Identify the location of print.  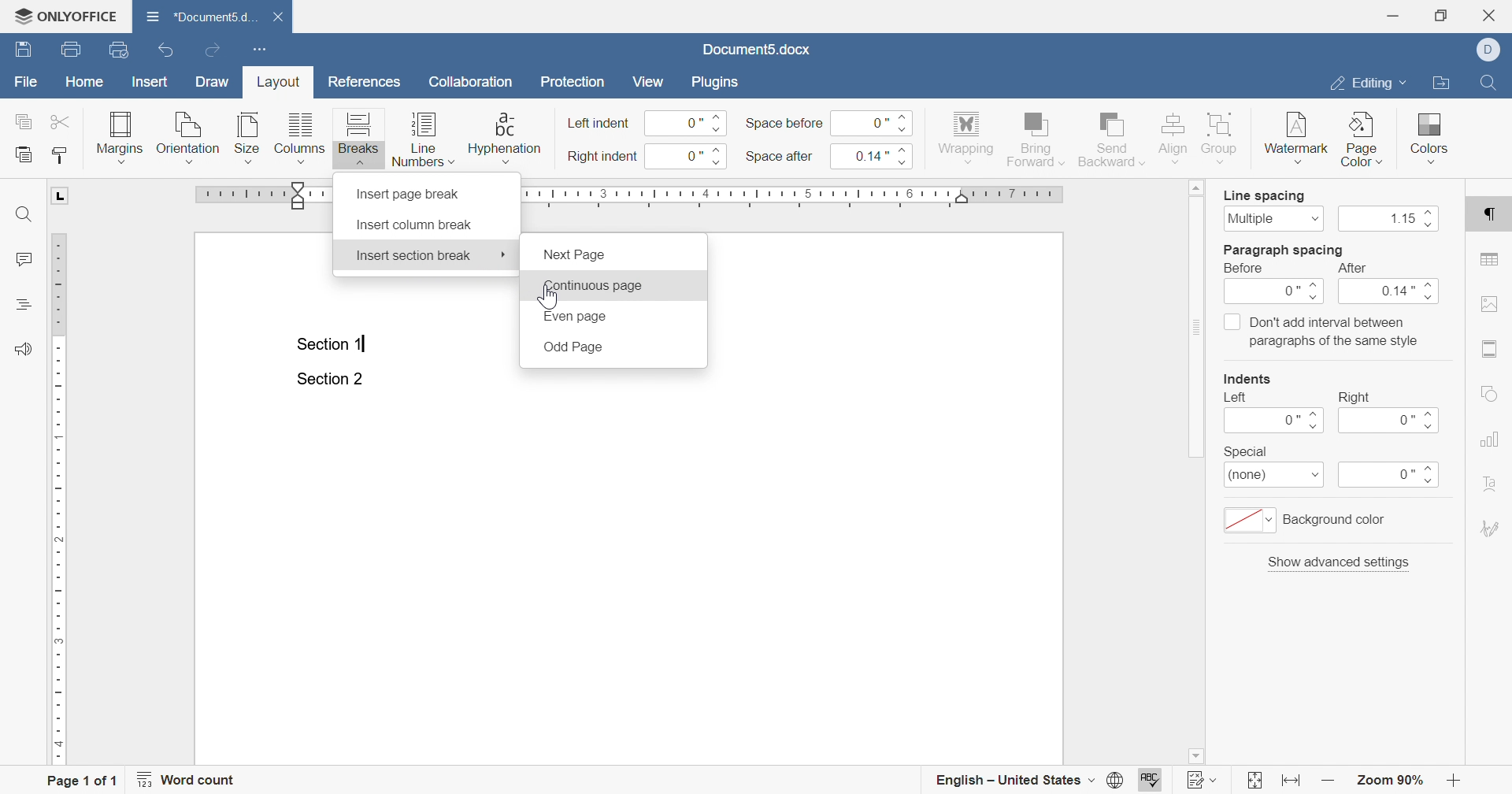
(75, 50).